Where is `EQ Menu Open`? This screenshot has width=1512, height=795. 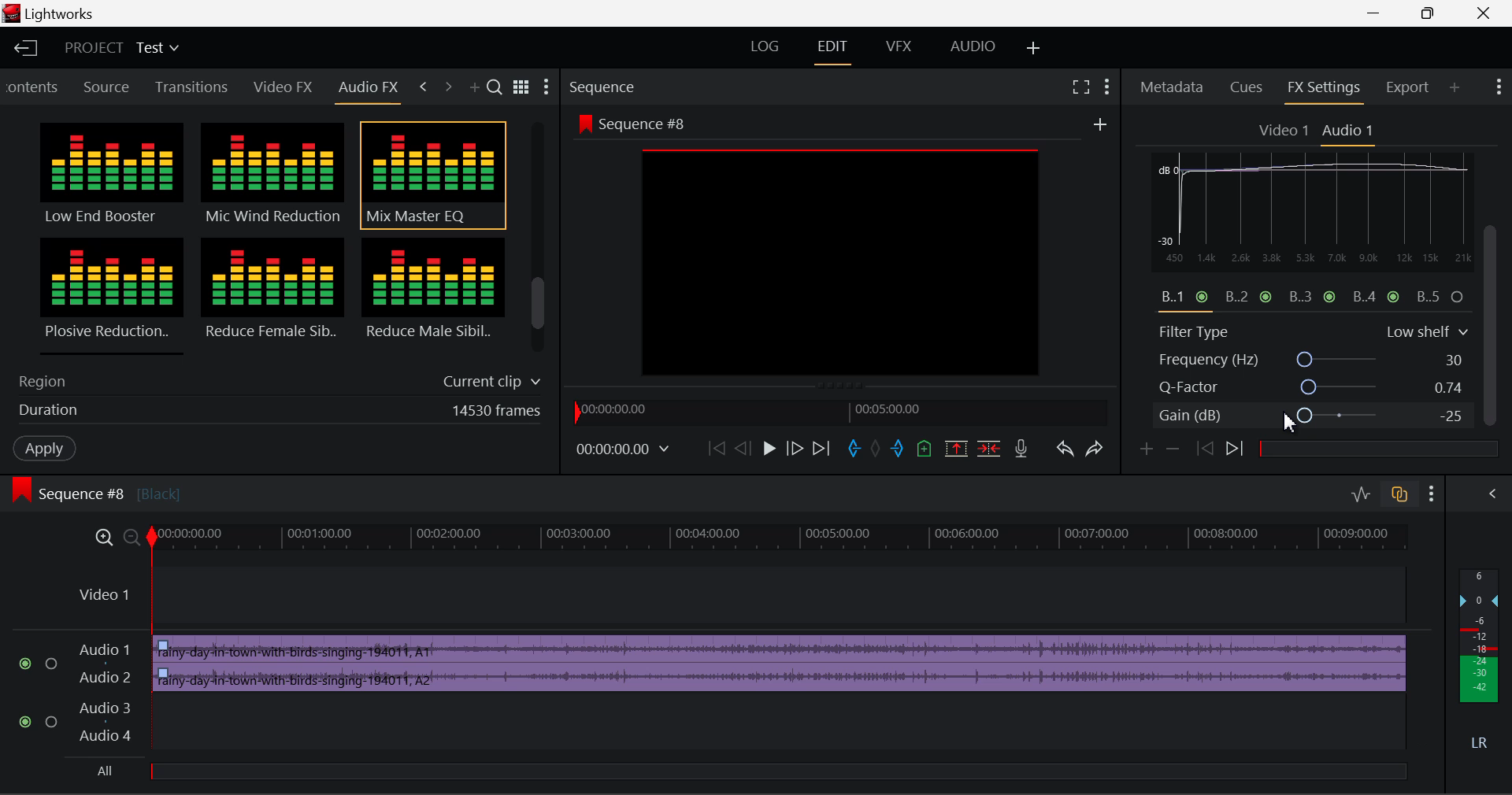 EQ Menu Open is located at coordinates (1167, 164).